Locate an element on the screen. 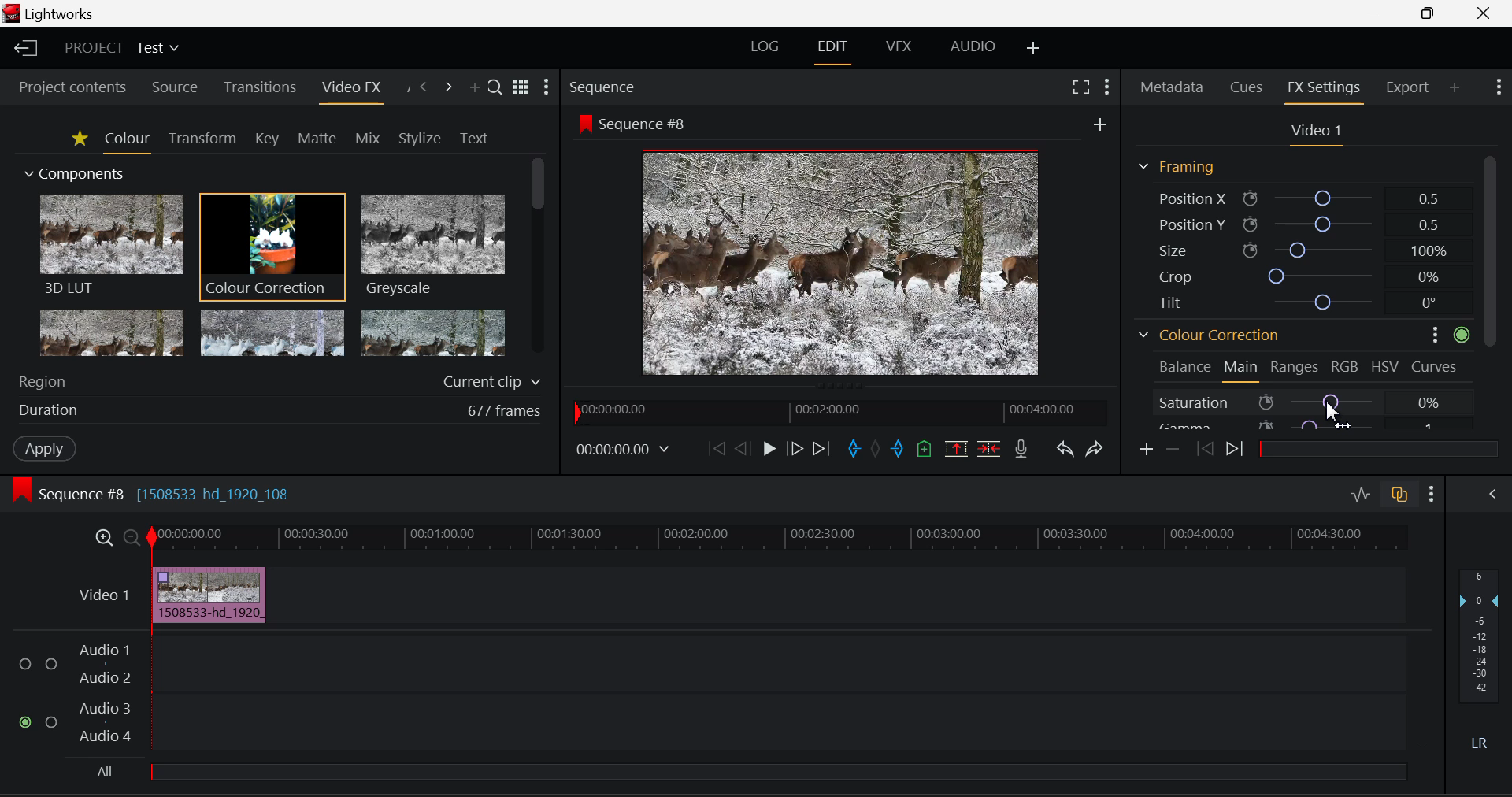  Decibel Level is located at coordinates (1484, 662).